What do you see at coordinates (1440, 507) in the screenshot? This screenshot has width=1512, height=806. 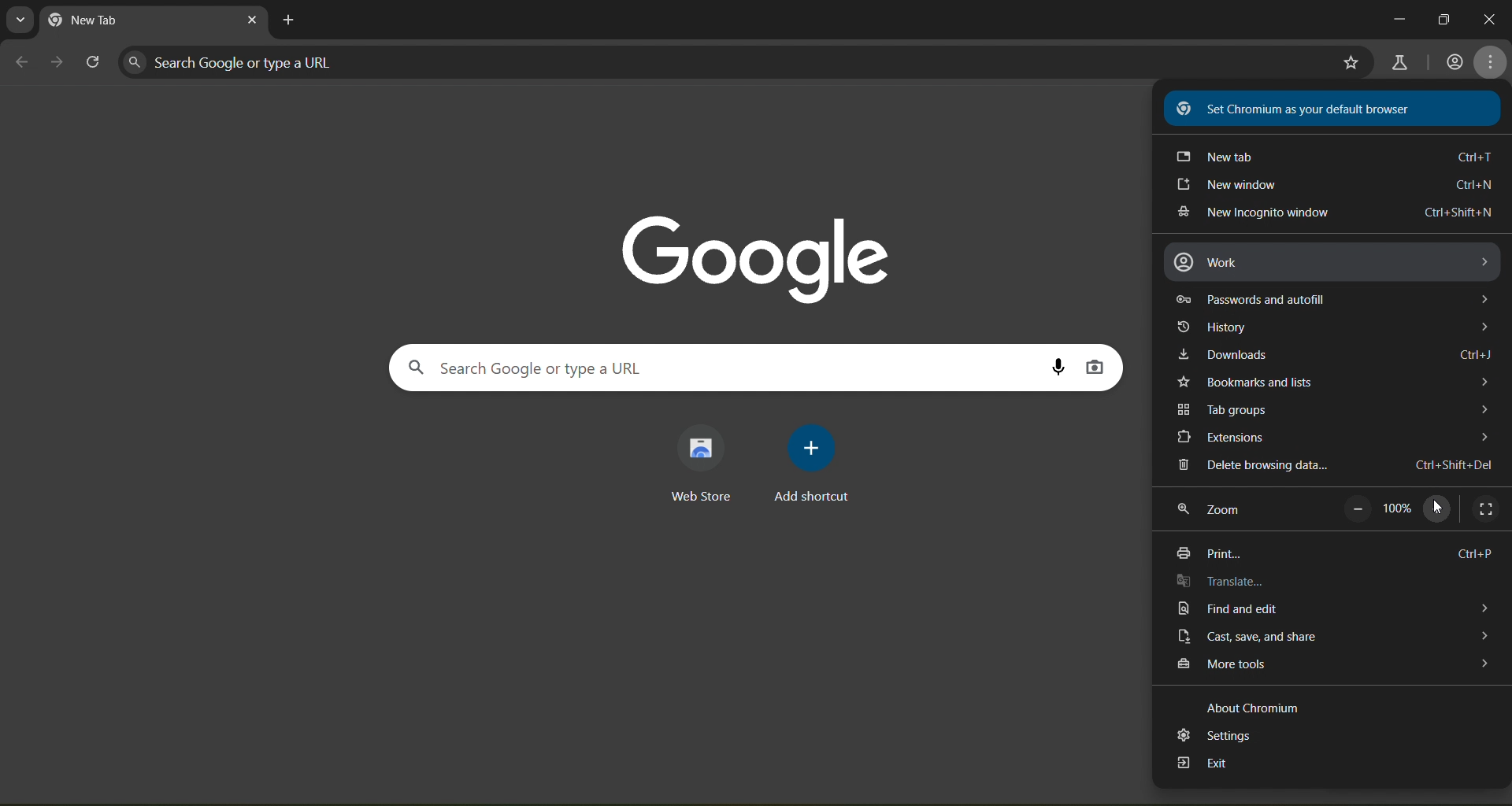 I see `zoom in` at bounding box center [1440, 507].